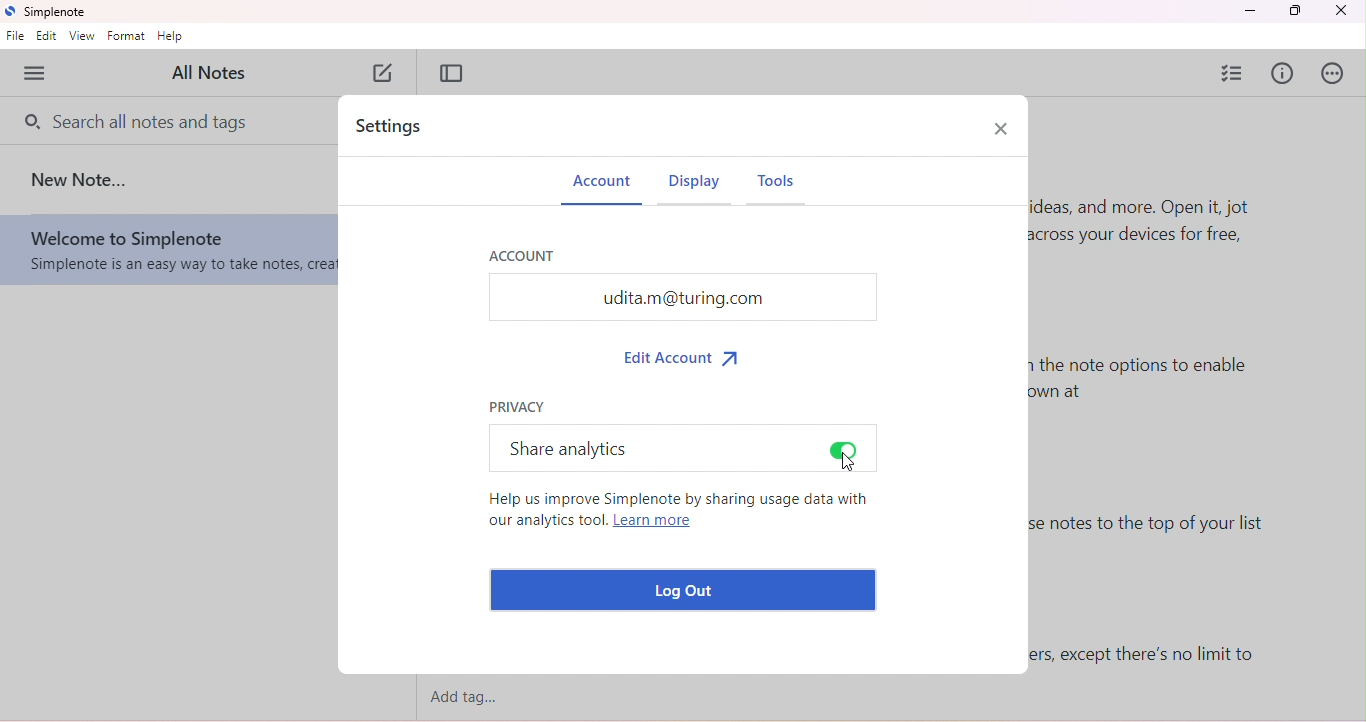 This screenshot has height=722, width=1366. Describe the element at coordinates (845, 449) in the screenshot. I see `color changed in share analytics and turned on` at that location.